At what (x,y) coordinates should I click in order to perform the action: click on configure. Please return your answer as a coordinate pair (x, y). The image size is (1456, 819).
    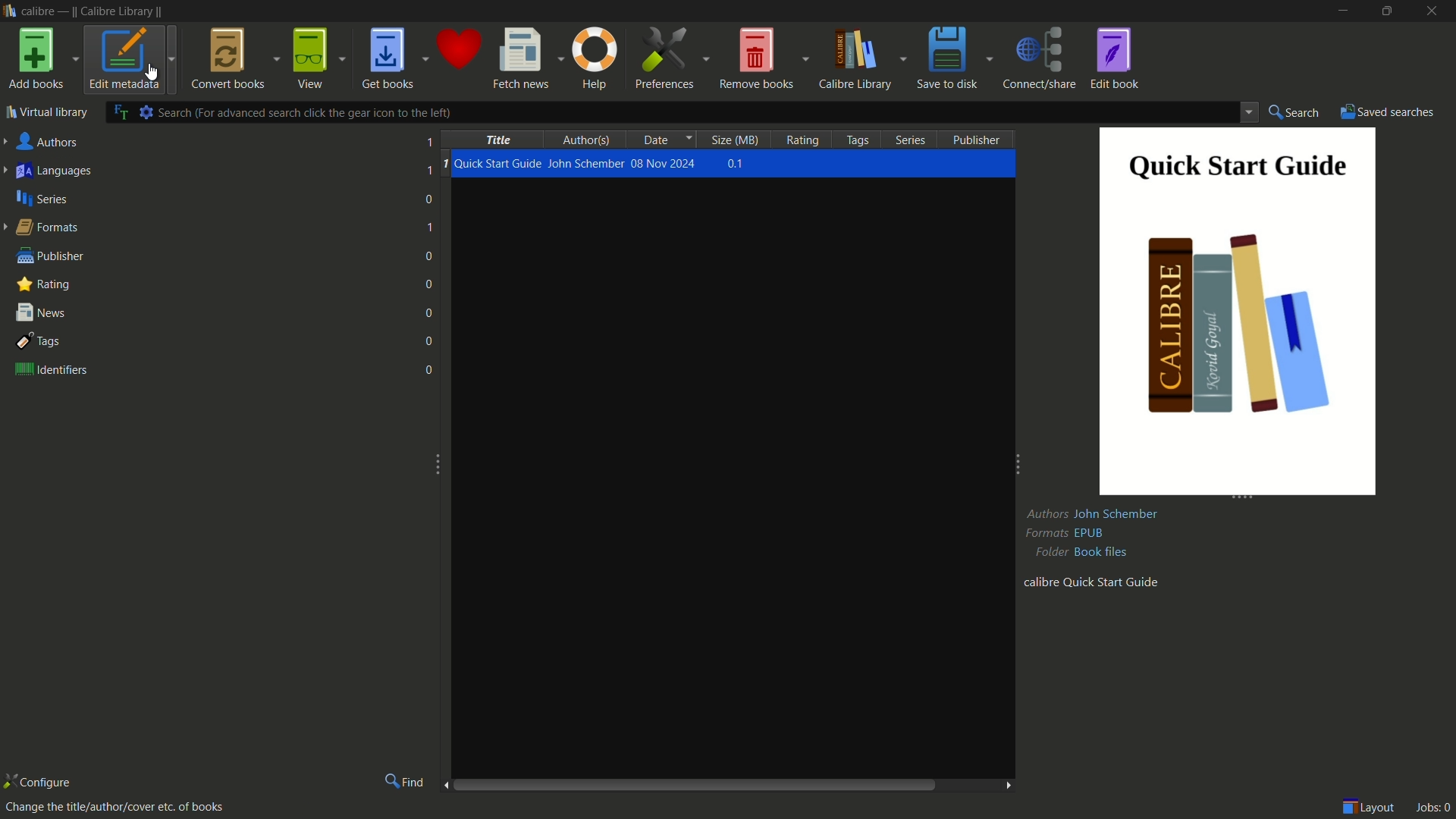
    Looking at the image, I should click on (42, 779).